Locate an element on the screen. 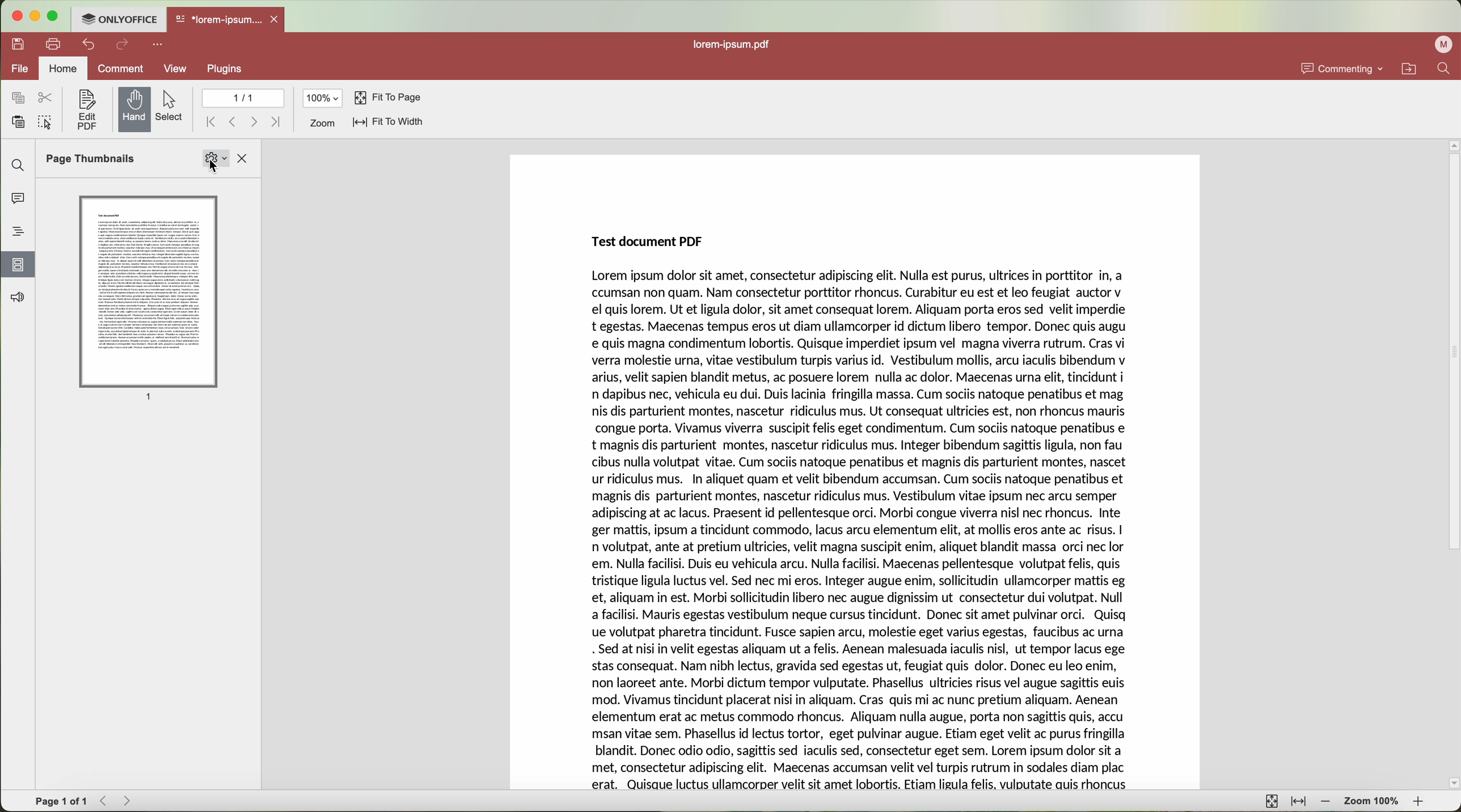 The image size is (1461, 812). find is located at coordinates (1447, 69).